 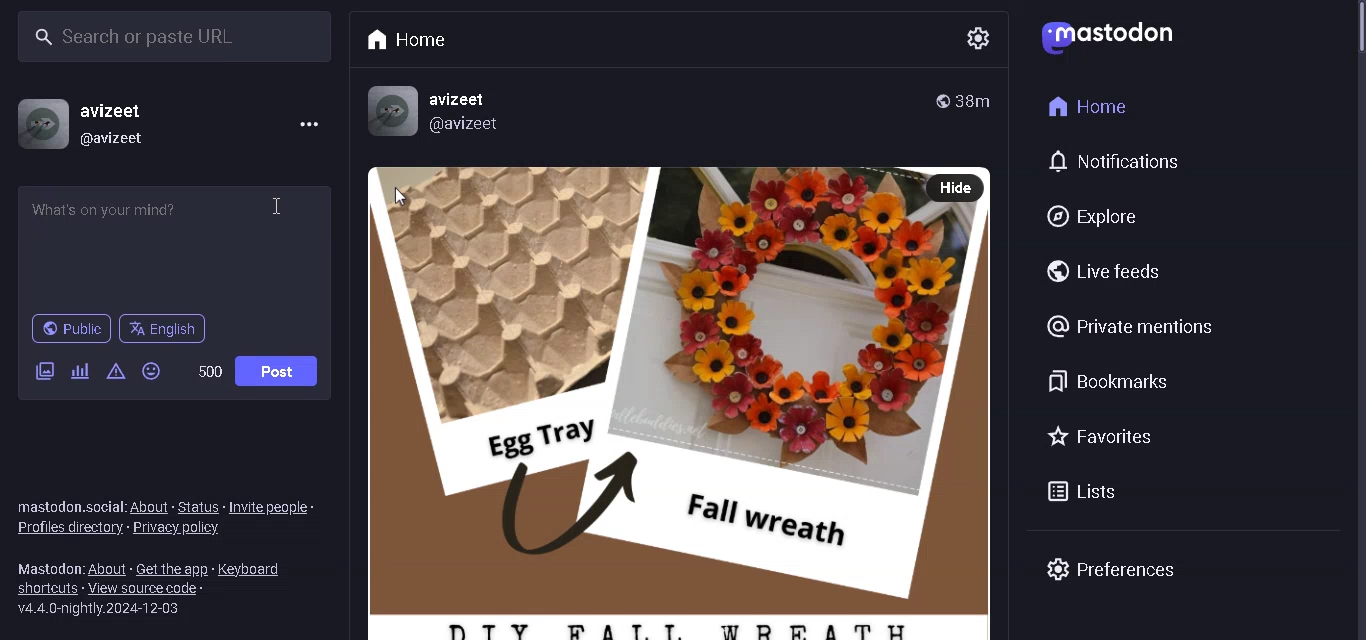 I want to click on logo, so click(x=1106, y=38).